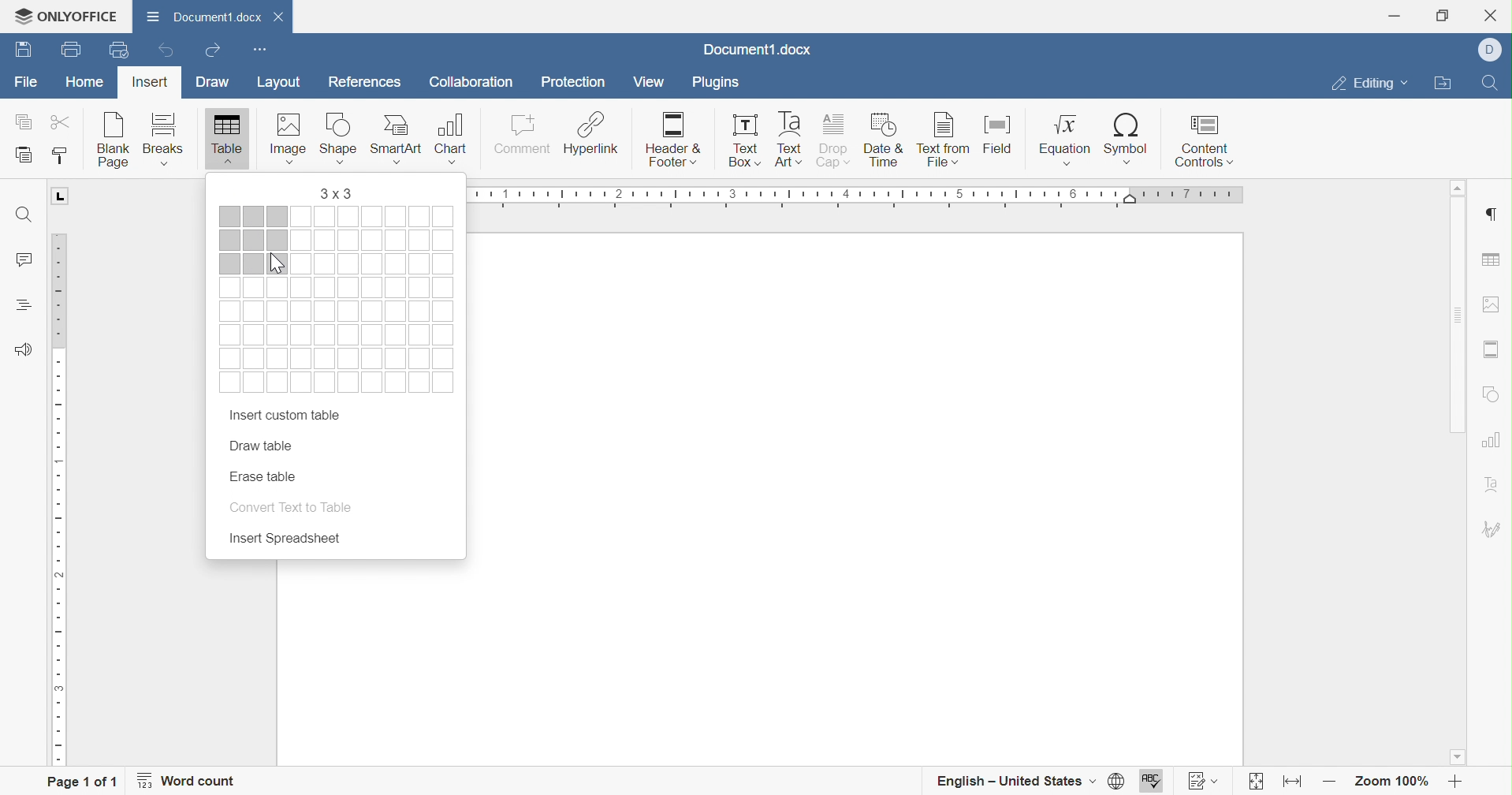  I want to click on File, so click(28, 84).